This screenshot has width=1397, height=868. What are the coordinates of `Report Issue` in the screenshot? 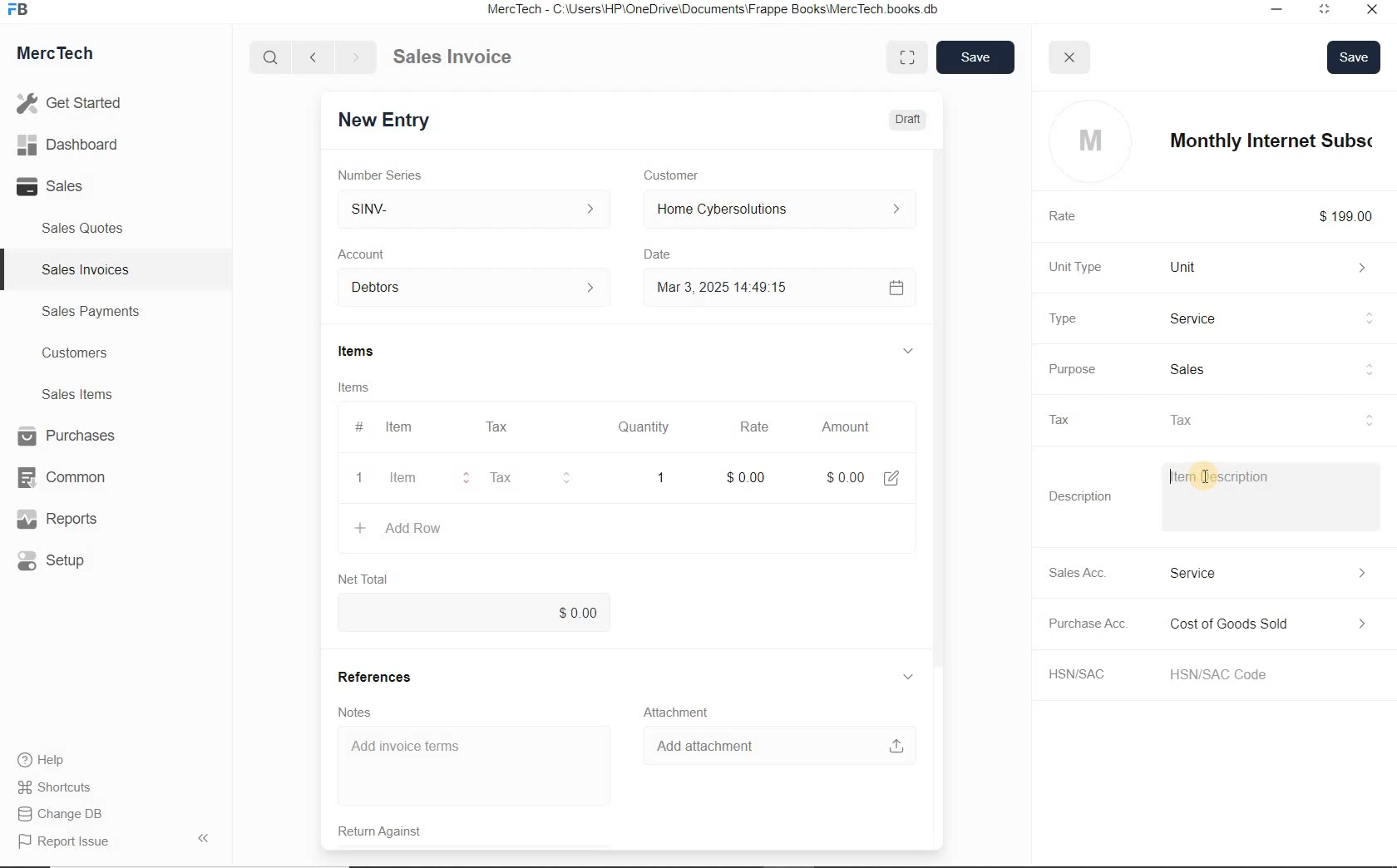 It's located at (67, 842).